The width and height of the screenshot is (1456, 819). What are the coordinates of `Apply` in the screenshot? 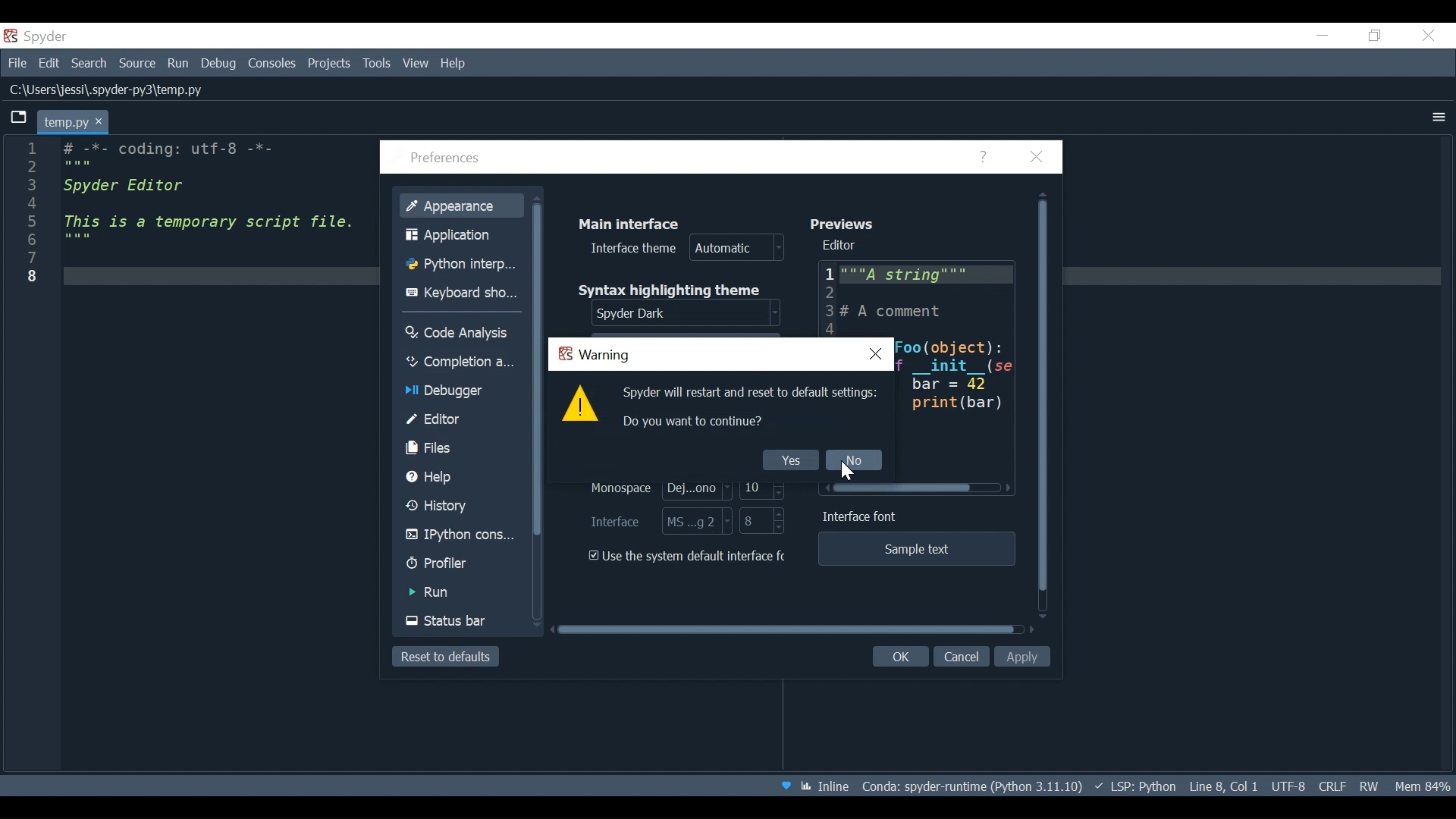 It's located at (1025, 657).